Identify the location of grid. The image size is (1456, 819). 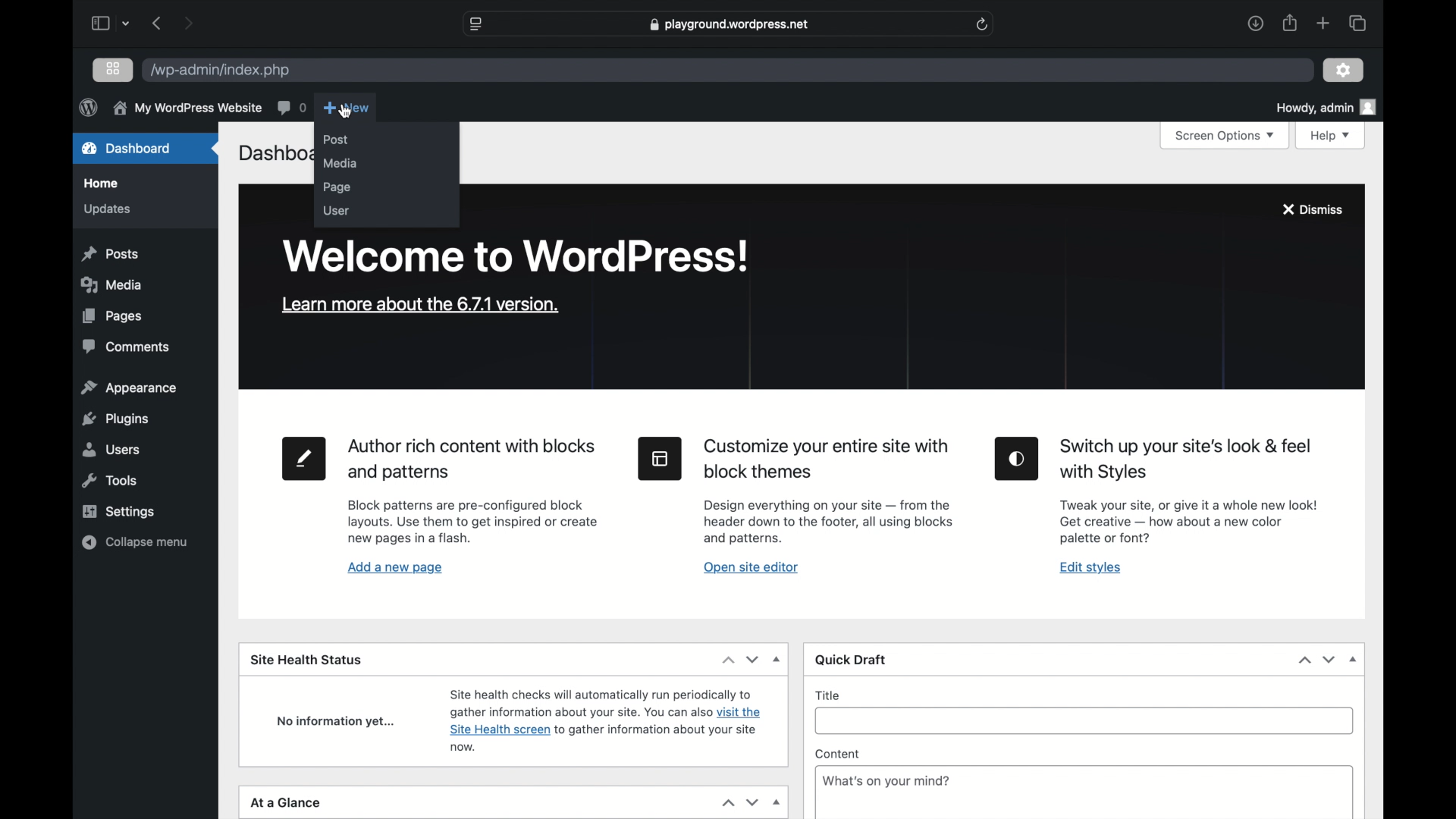
(115, 68).